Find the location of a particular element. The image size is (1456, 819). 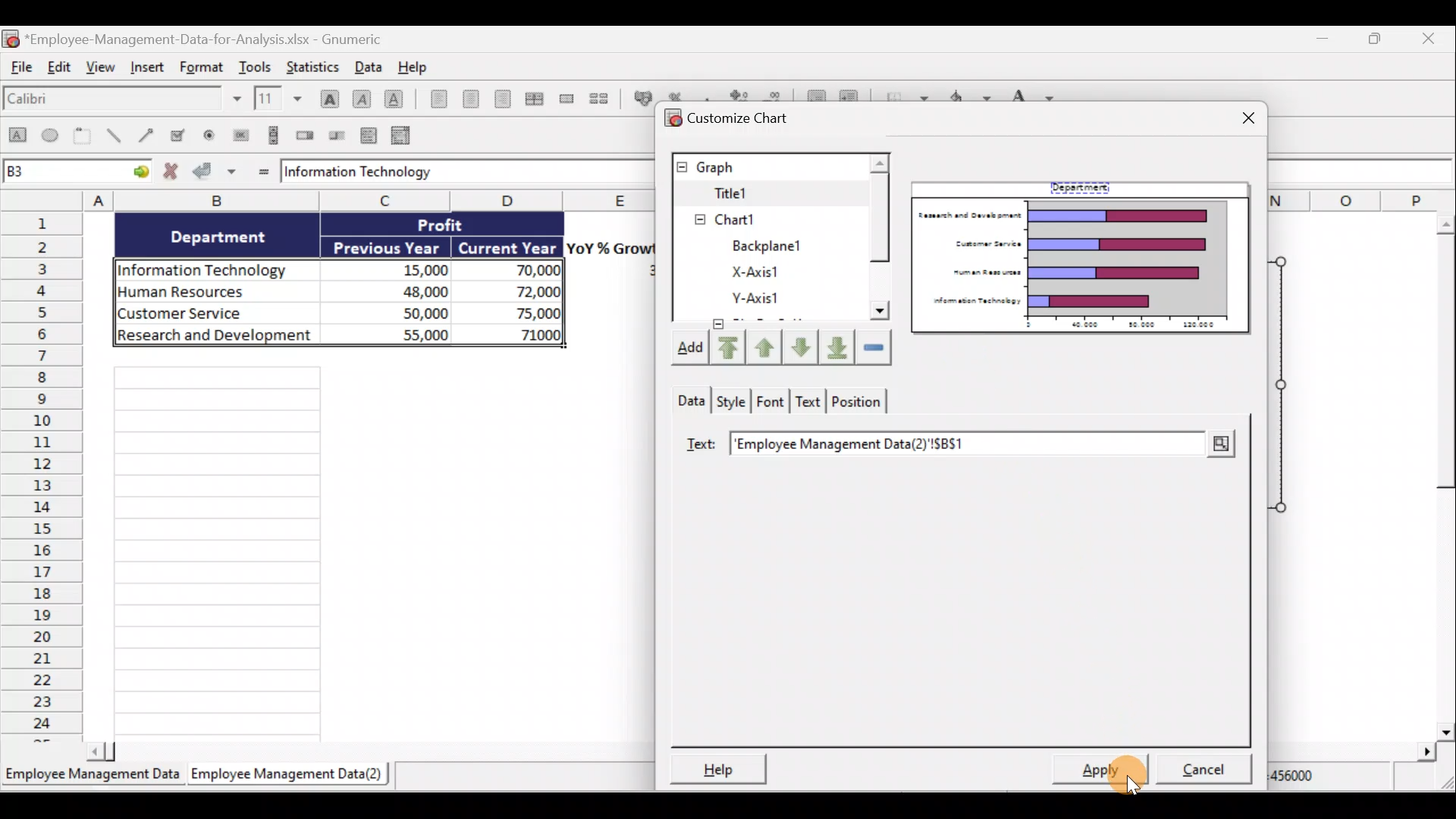

Columns is located at coordinates (325, 199).